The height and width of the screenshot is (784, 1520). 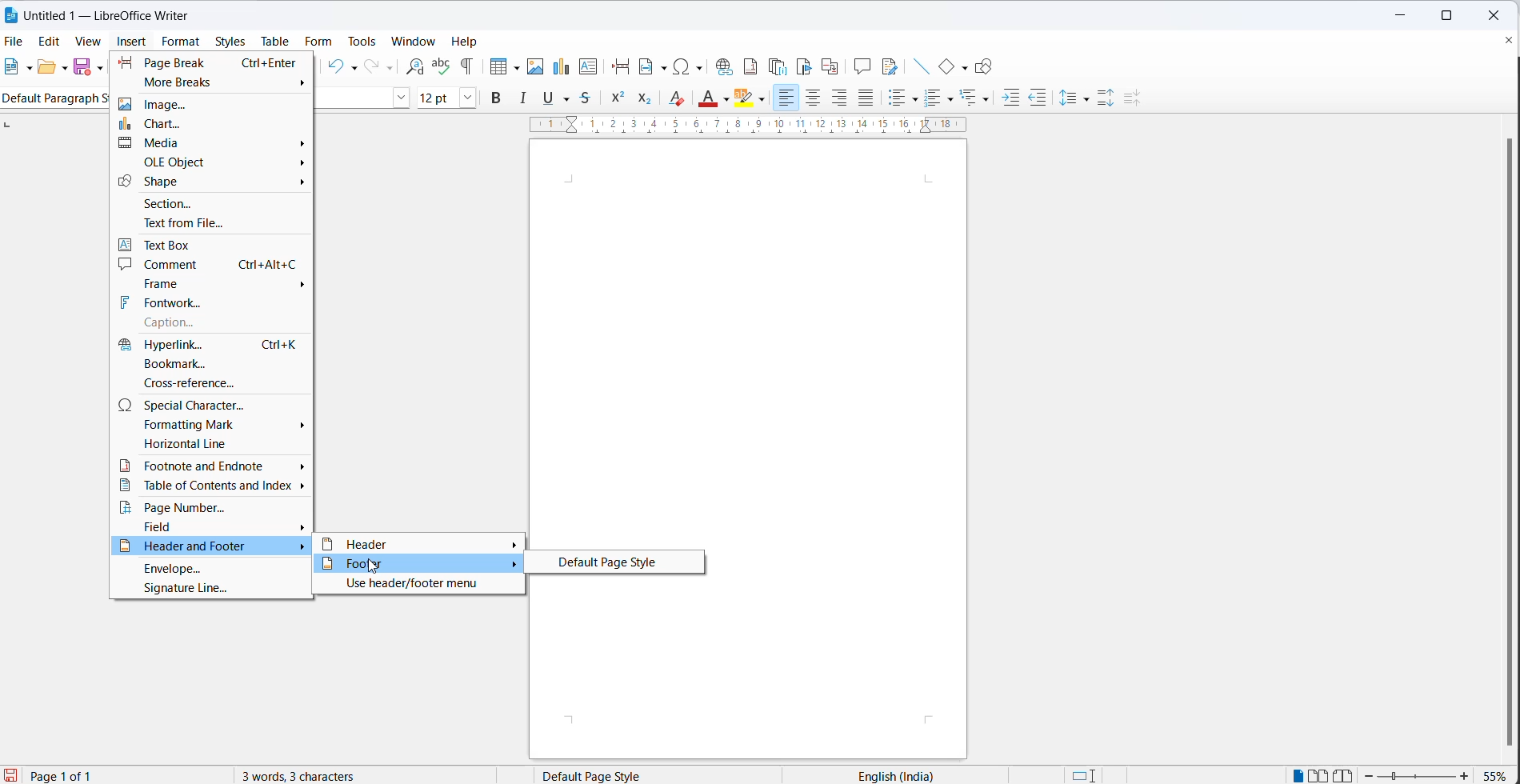 I want to click on decrease paragraph spacing, so click(x=1135, y=97).